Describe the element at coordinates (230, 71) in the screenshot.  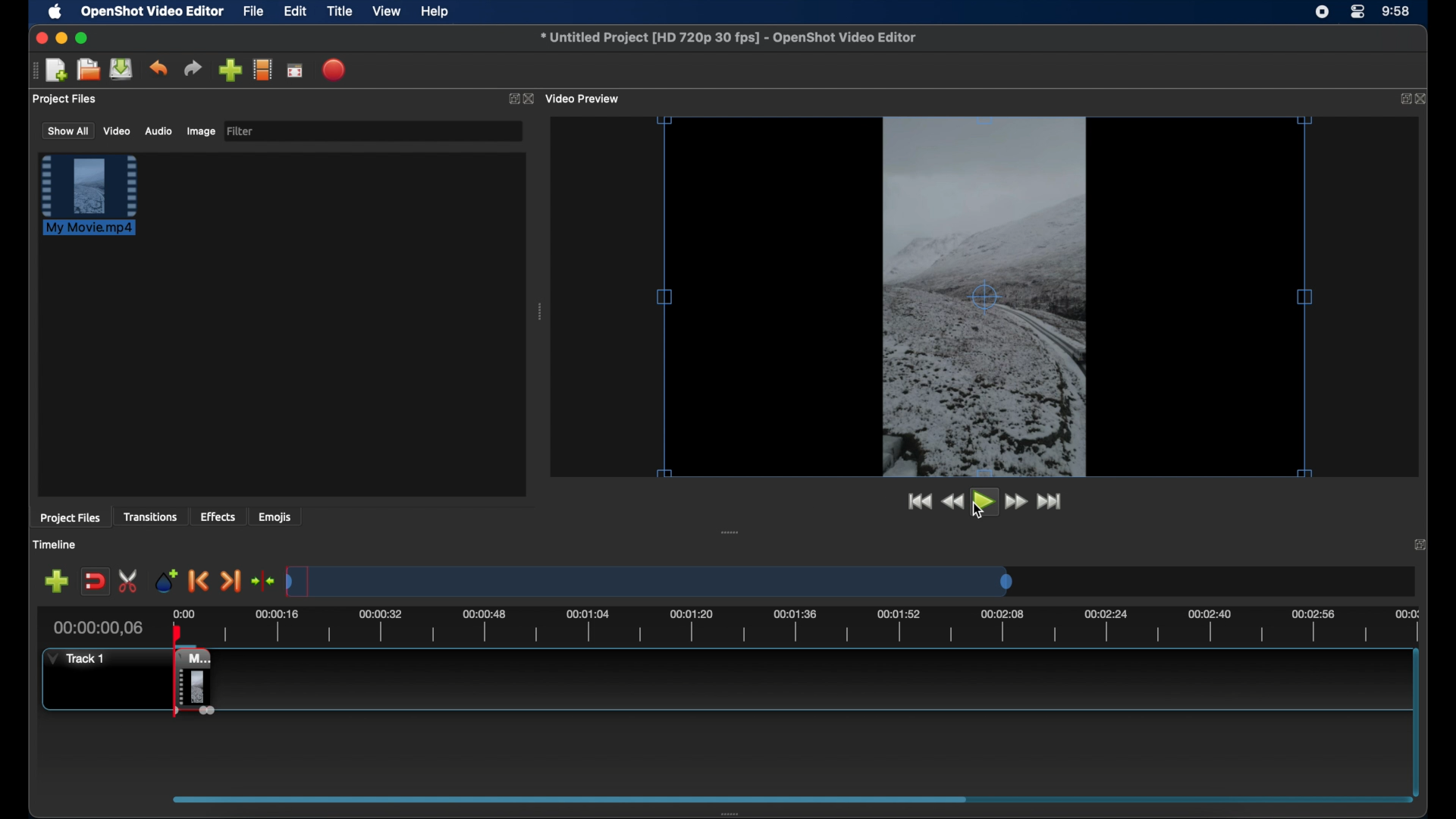
I see `import files` at that location.